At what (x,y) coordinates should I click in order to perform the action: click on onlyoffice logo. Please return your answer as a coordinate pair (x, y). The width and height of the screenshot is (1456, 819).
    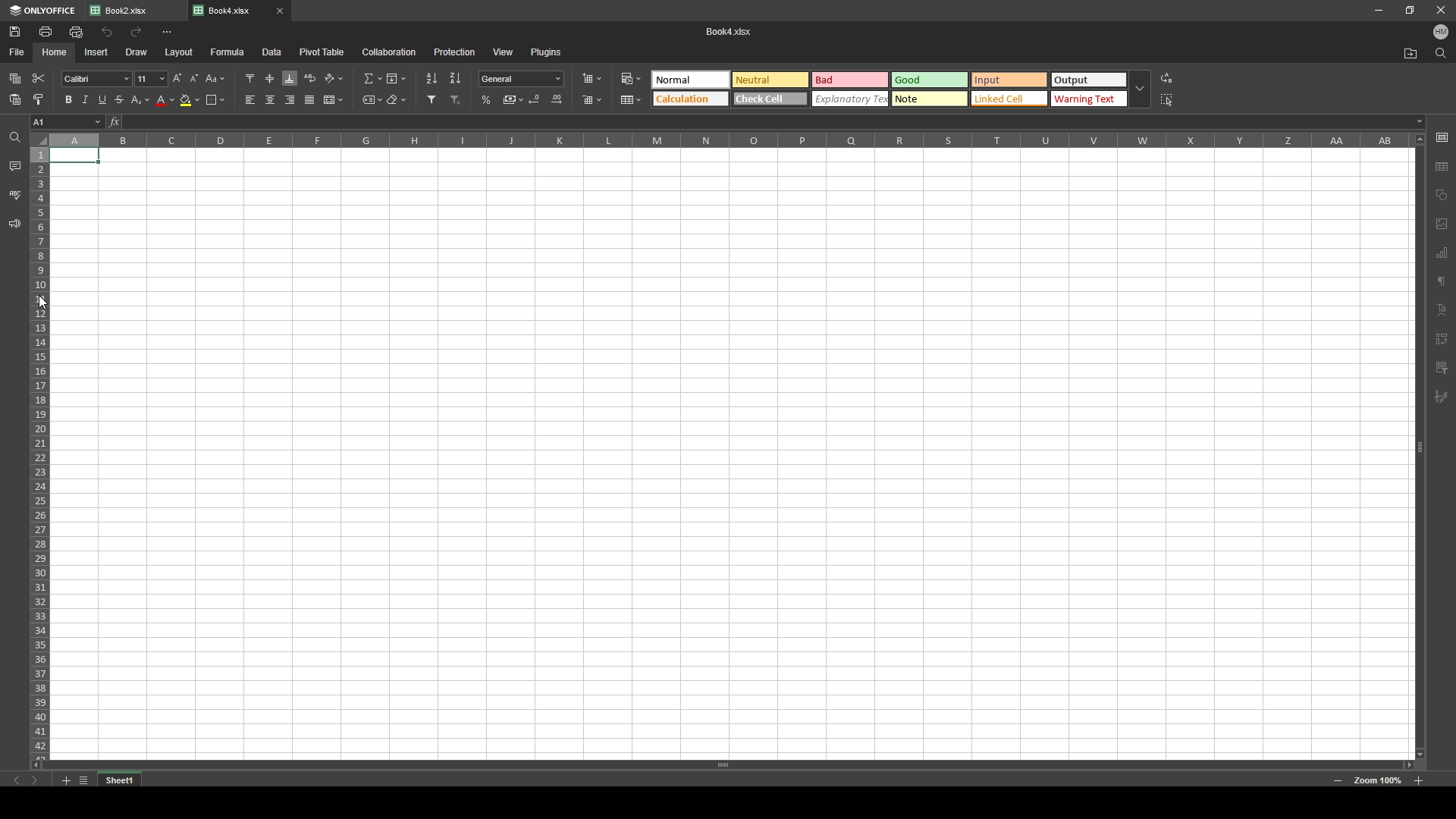
    Looking at the image, I should click on (19, 11).